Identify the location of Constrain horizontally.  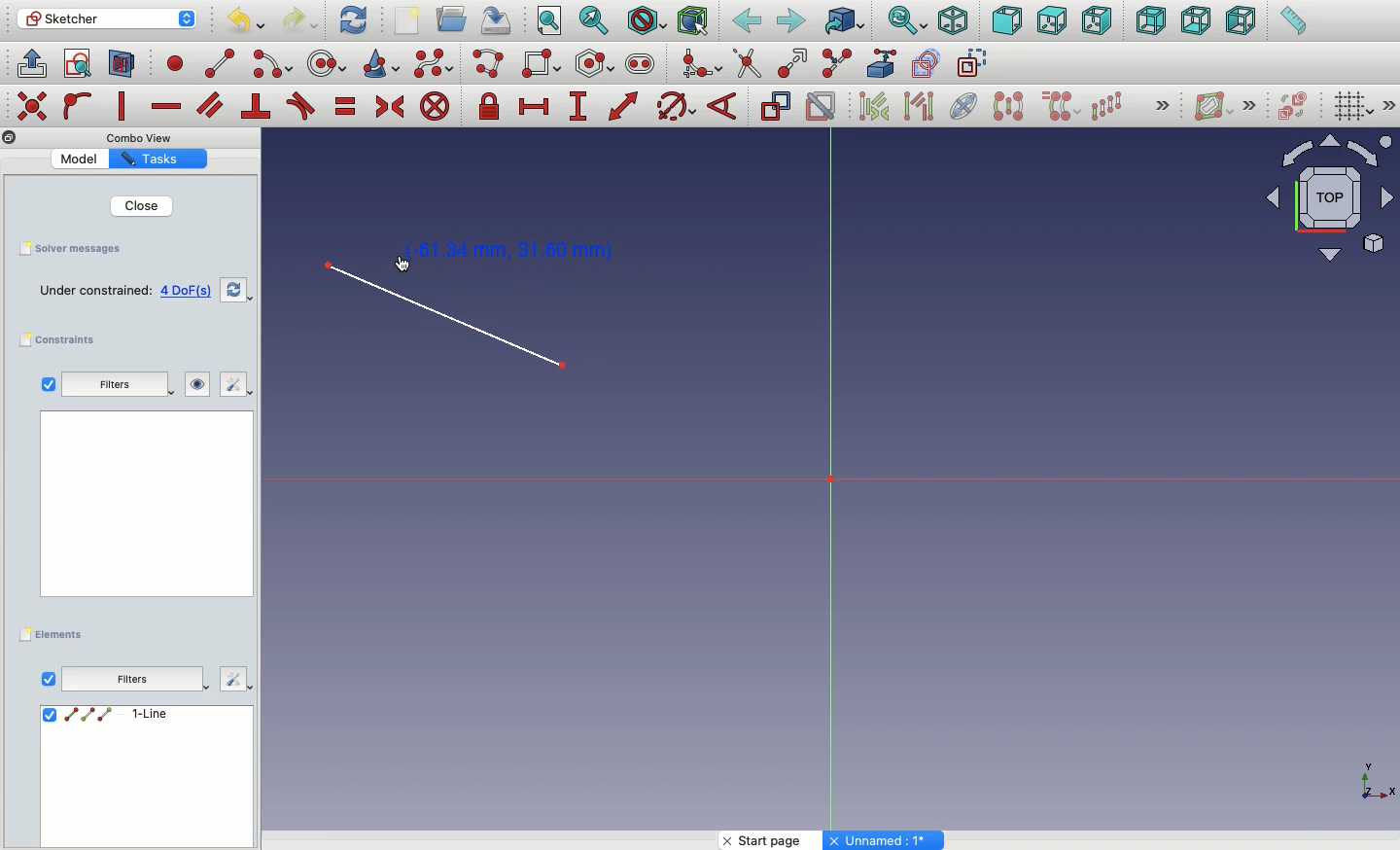
(165, 108).